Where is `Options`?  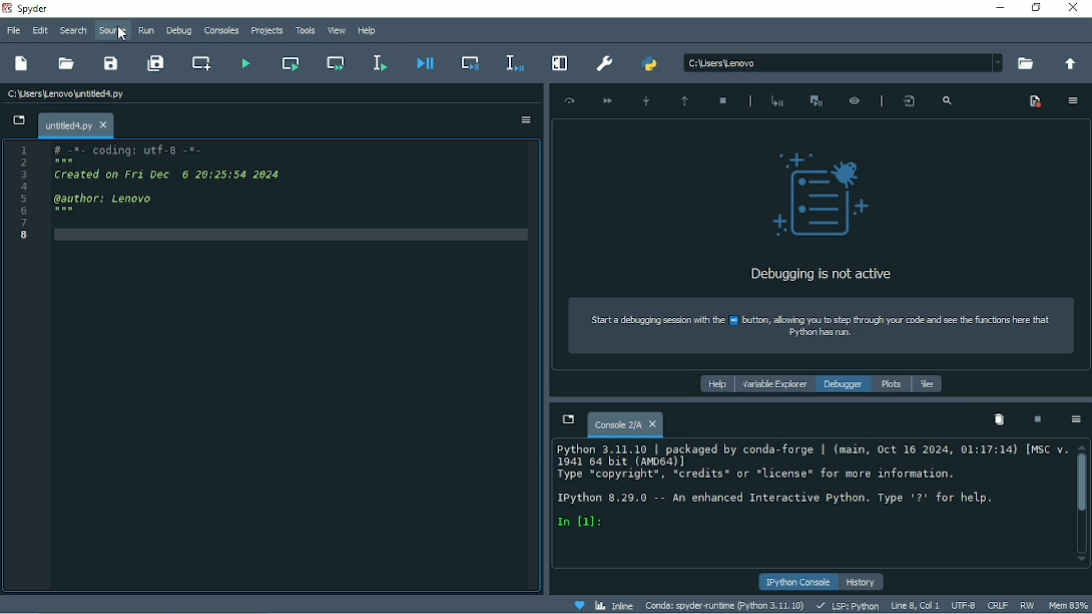 Options is located at coordinates (524, 120).